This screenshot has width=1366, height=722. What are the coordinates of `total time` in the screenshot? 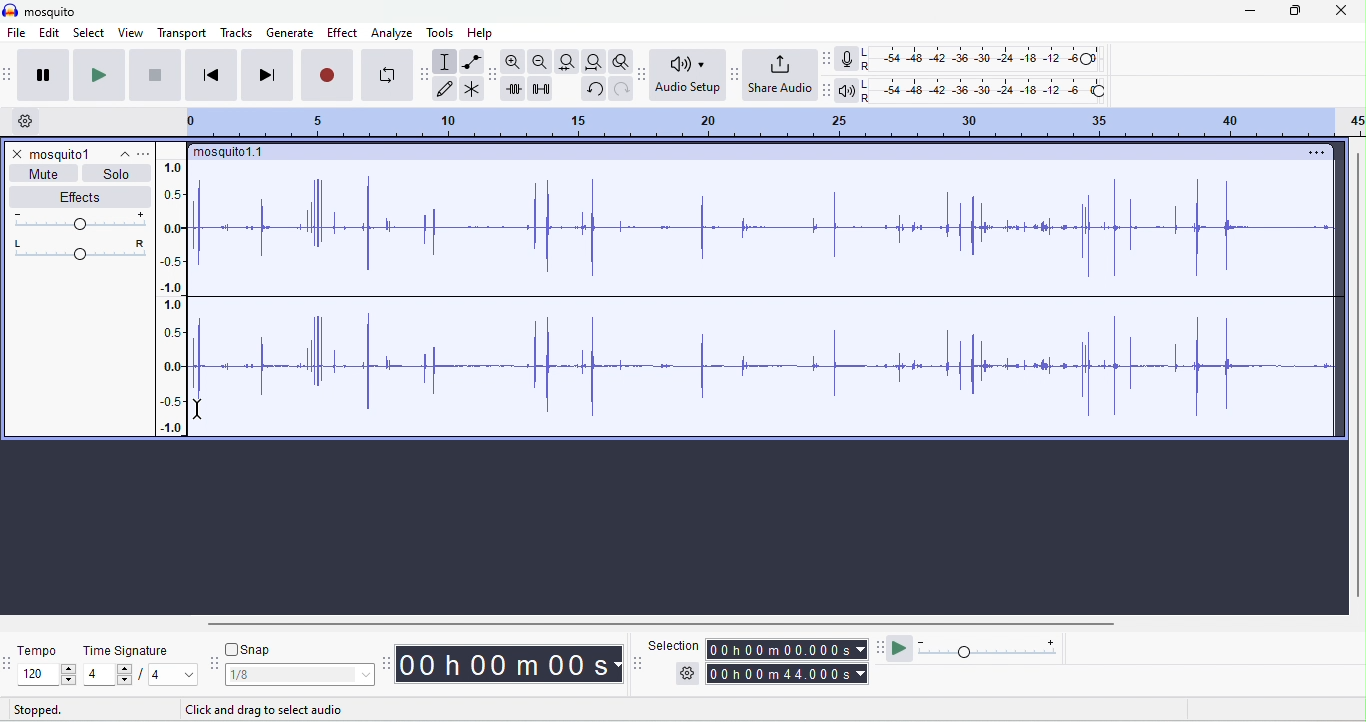 It's located at (789, 675).